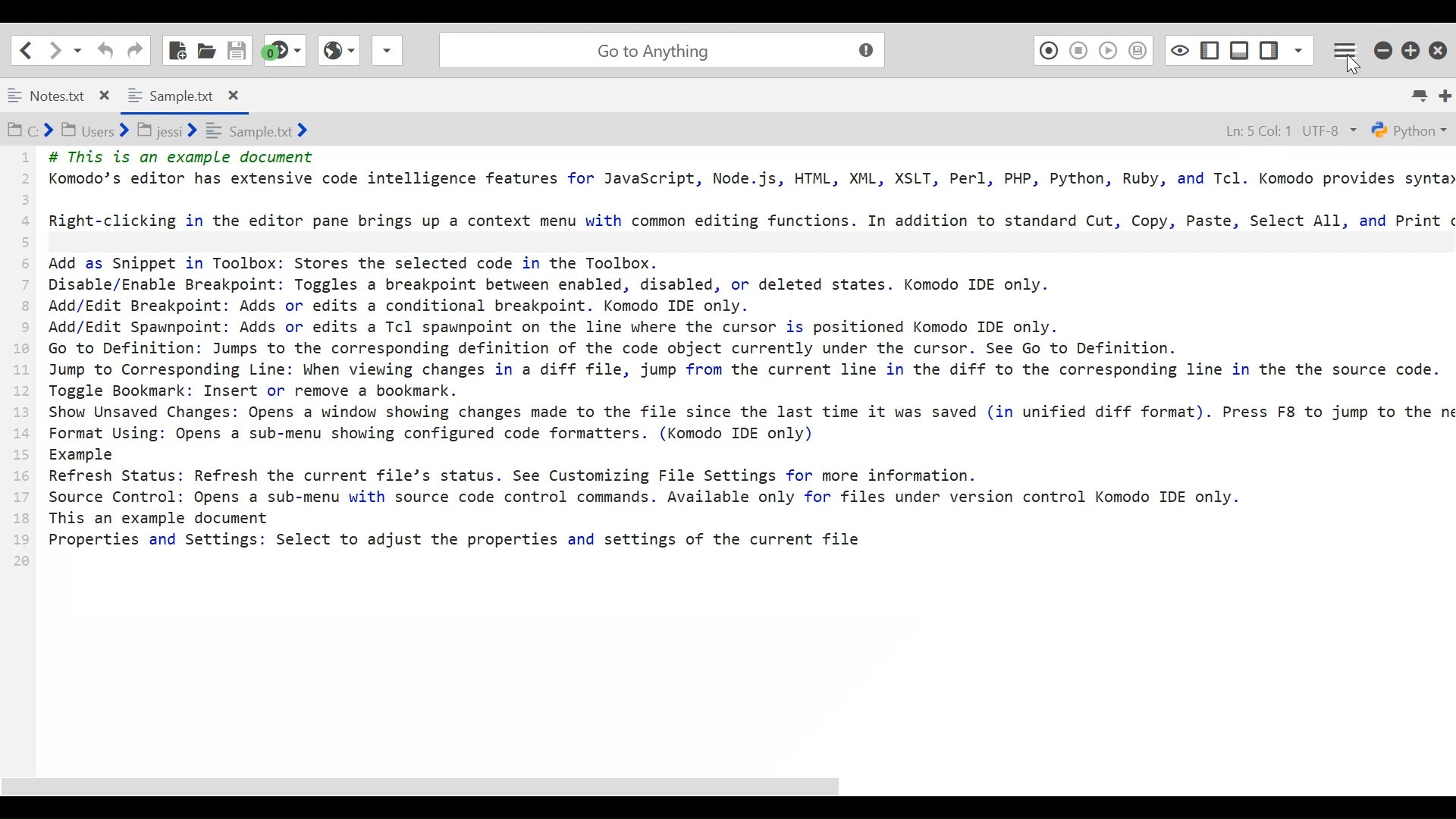 The image size is (1456, 819). Describe the element at coordinates (1212, 49) in the screenshot. I see `Show/Hide Left Pane` at that location.